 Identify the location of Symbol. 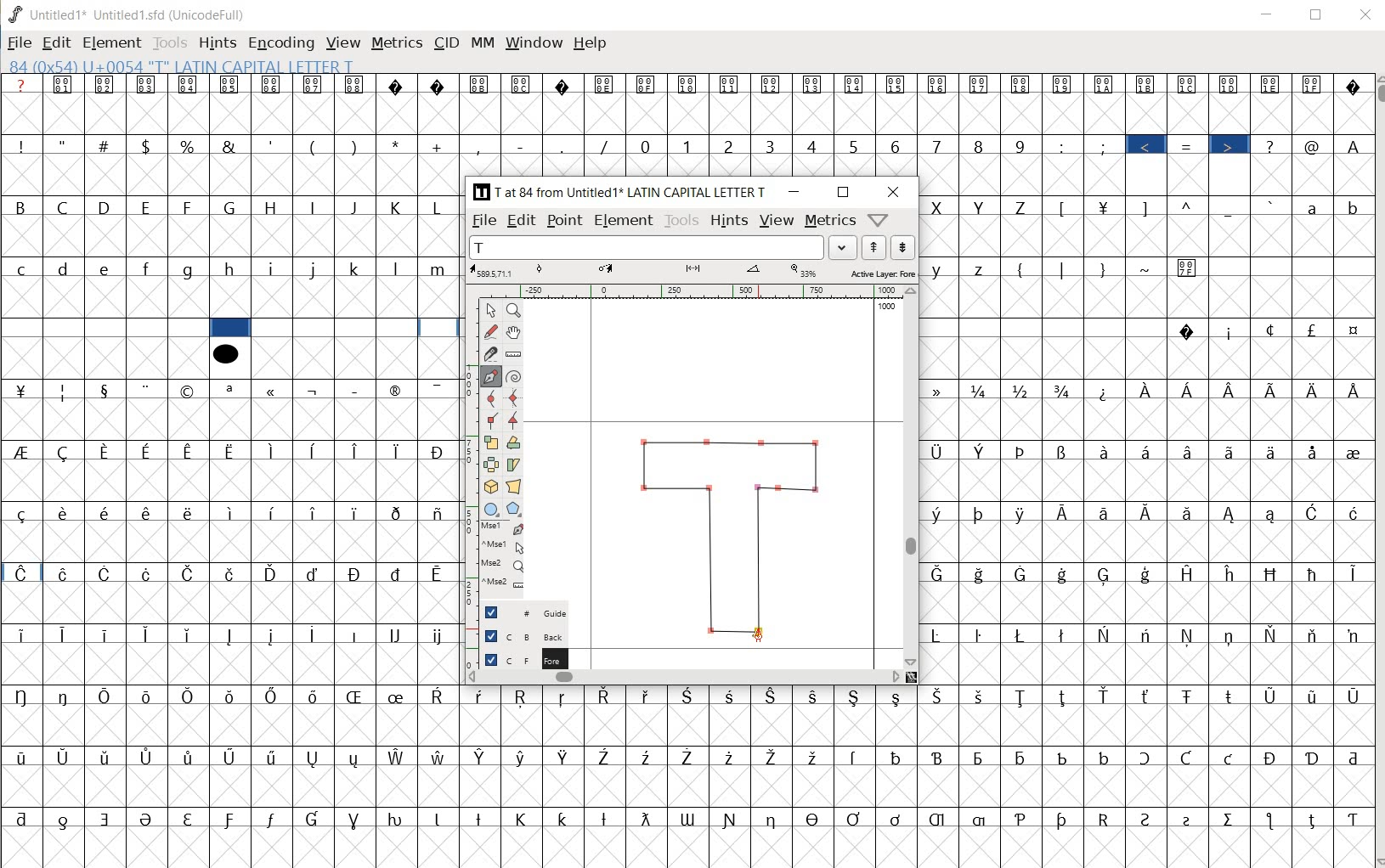
(1274, 573).